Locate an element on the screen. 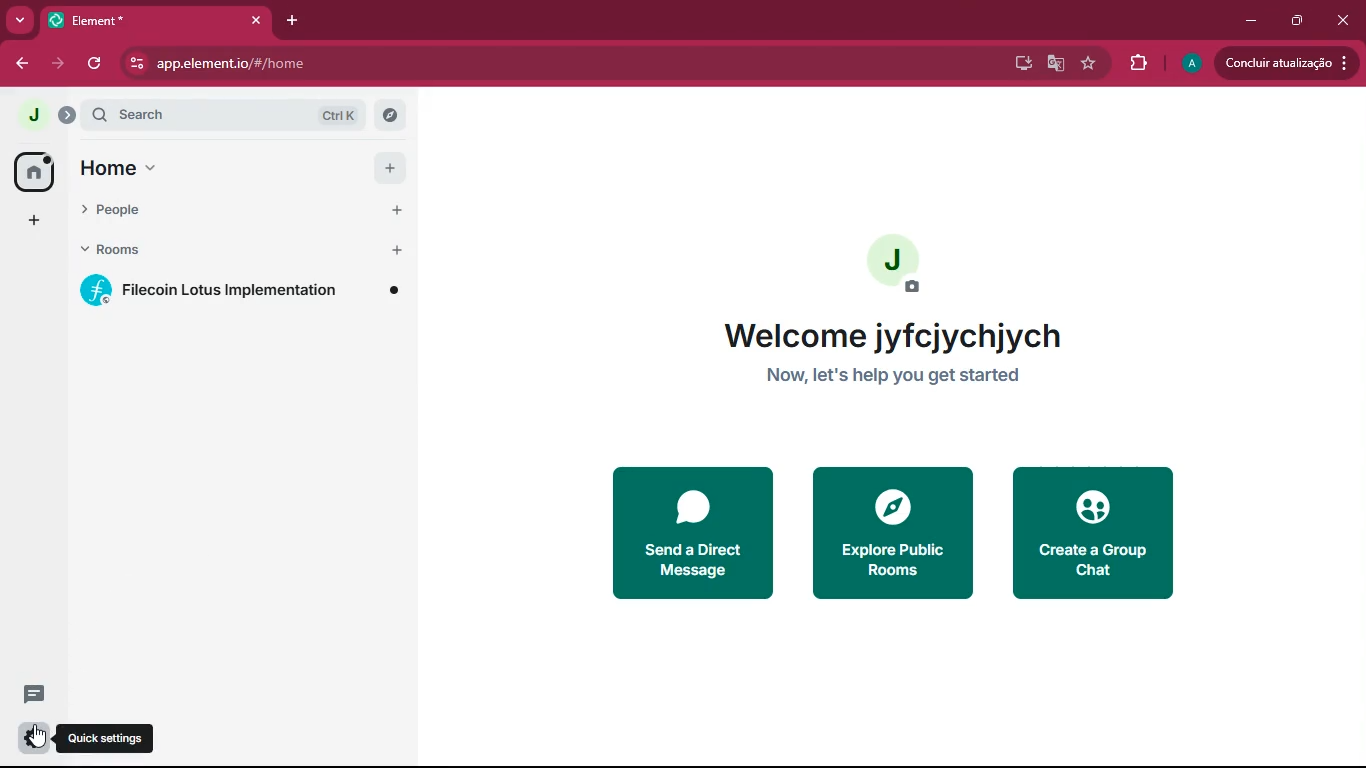 Image resolution: width=1366 pixels, height=768 pixels. welcome jyfcjychjych is located at coordinates (899, 332).